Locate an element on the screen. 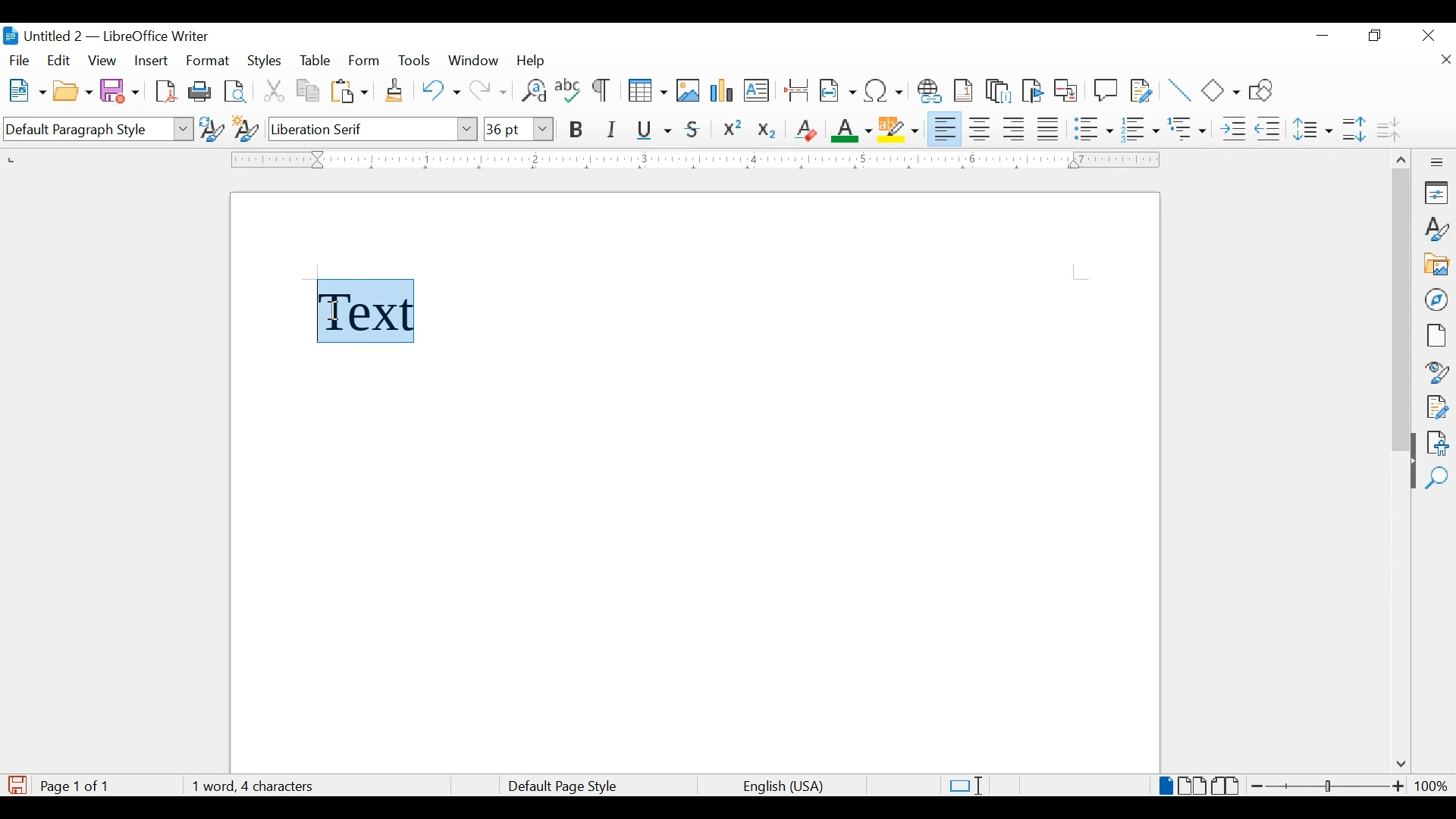  basic shapes is located at coordinates (1222, 90).